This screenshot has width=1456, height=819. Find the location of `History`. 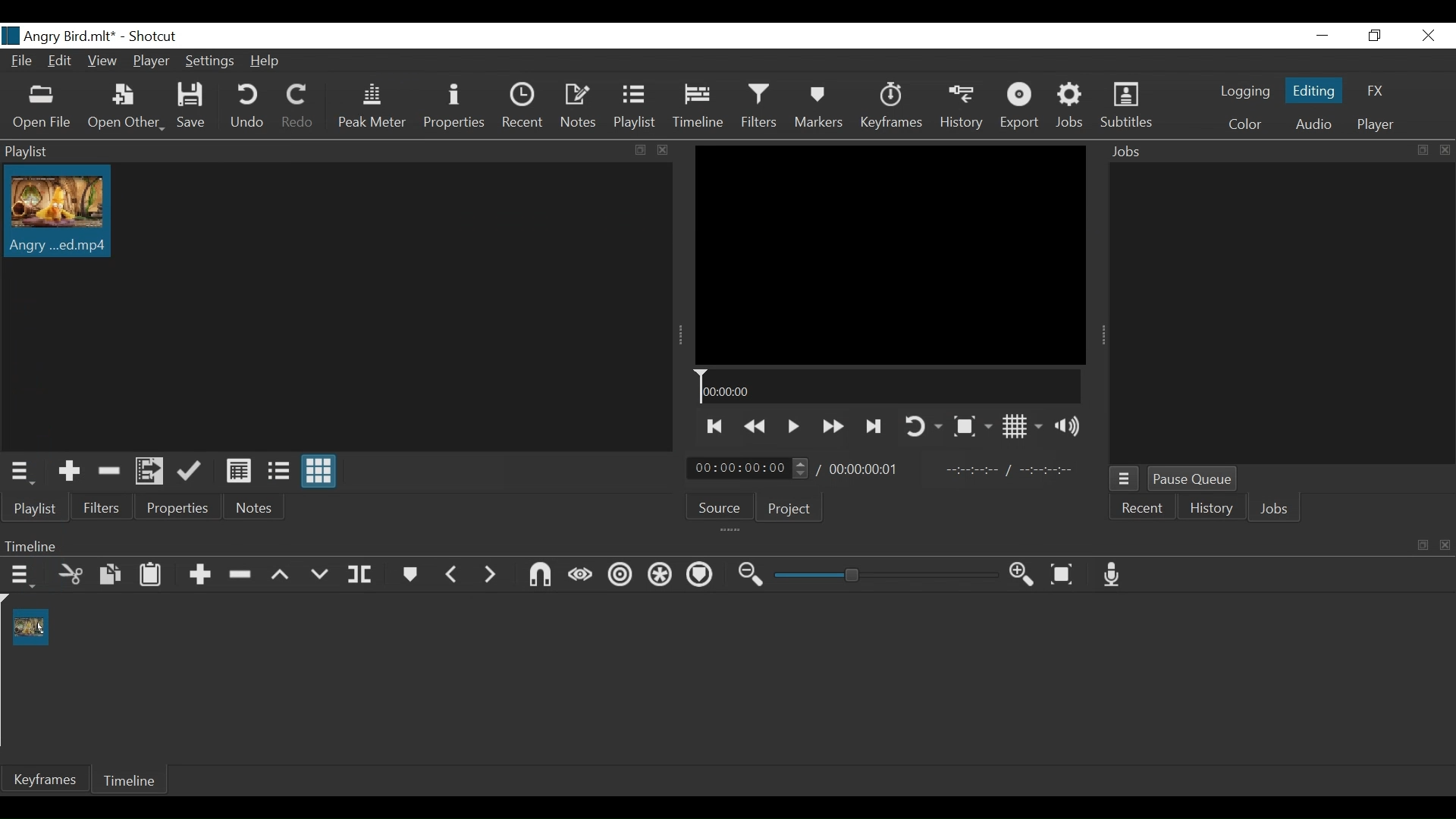

History is located at coordinates (1209, 509).